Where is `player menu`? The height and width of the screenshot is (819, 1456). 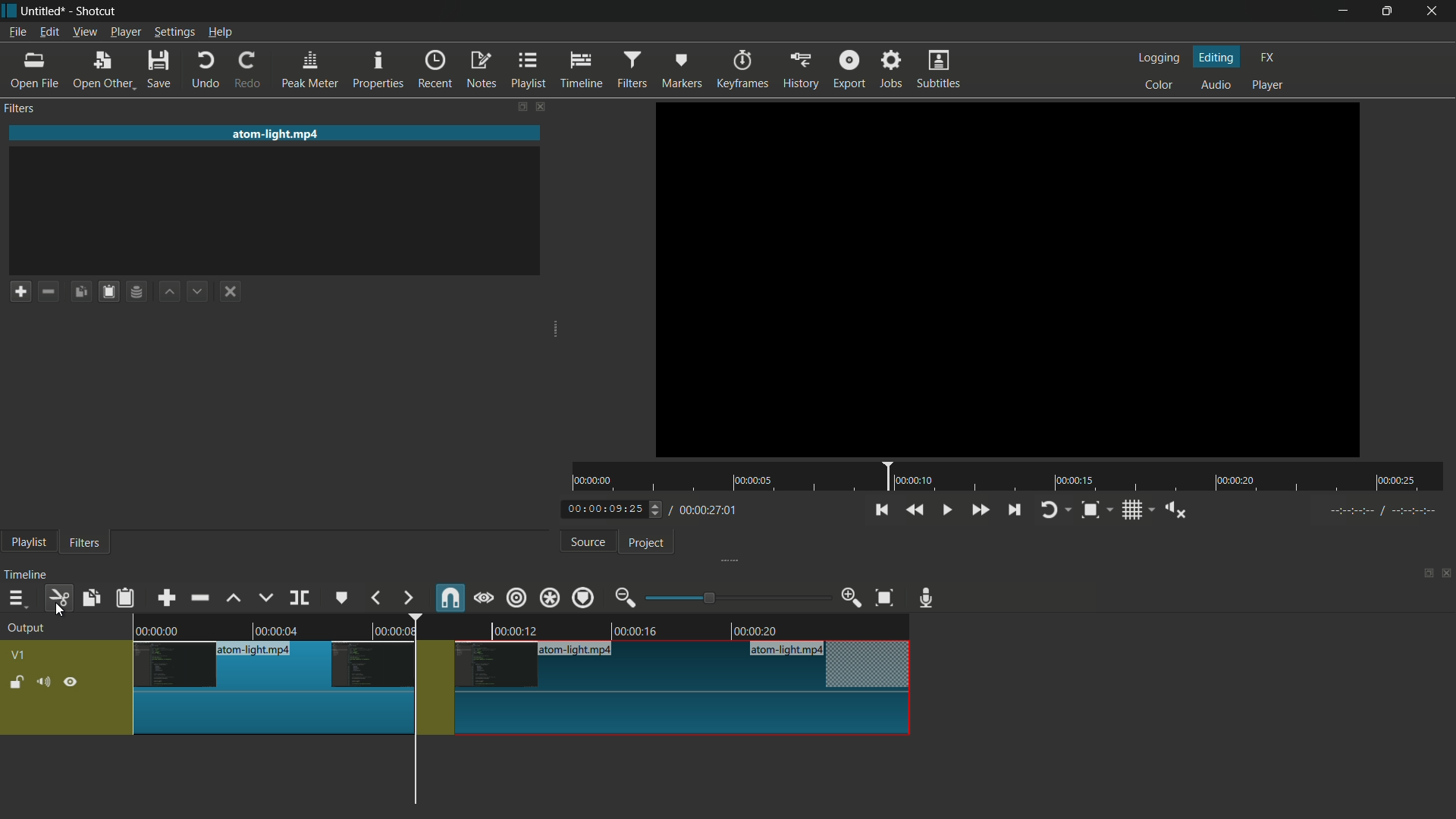
player menu is located at coordinates (125, 32).